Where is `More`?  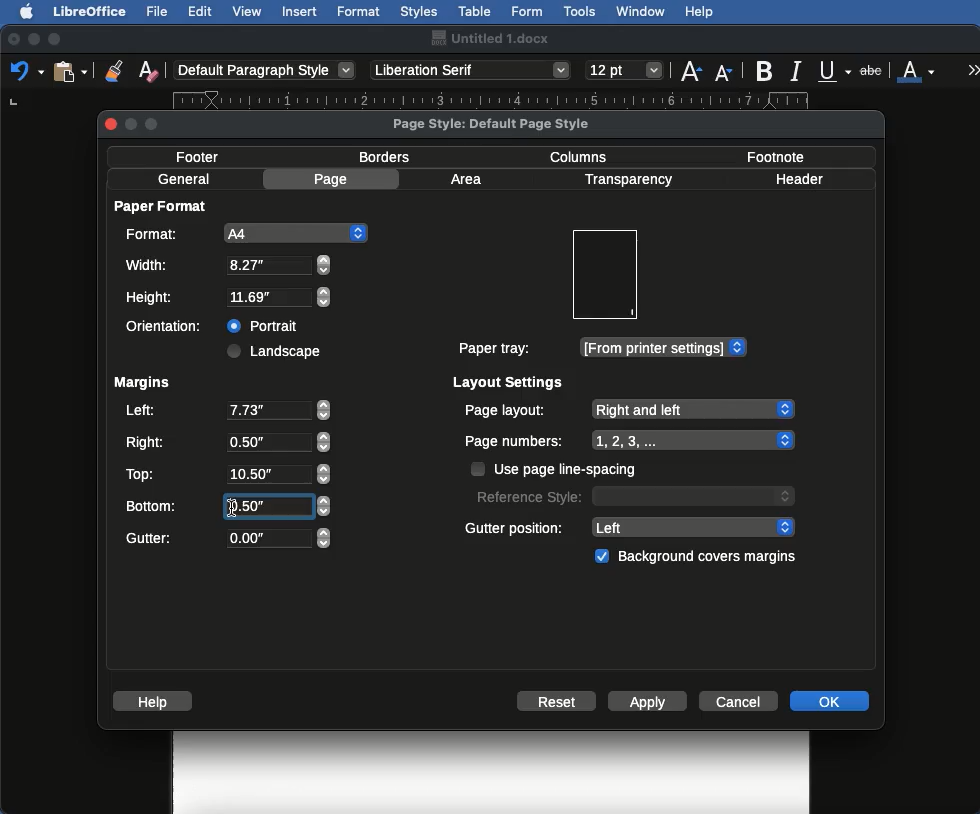
More is located at coordinates (974, 69).